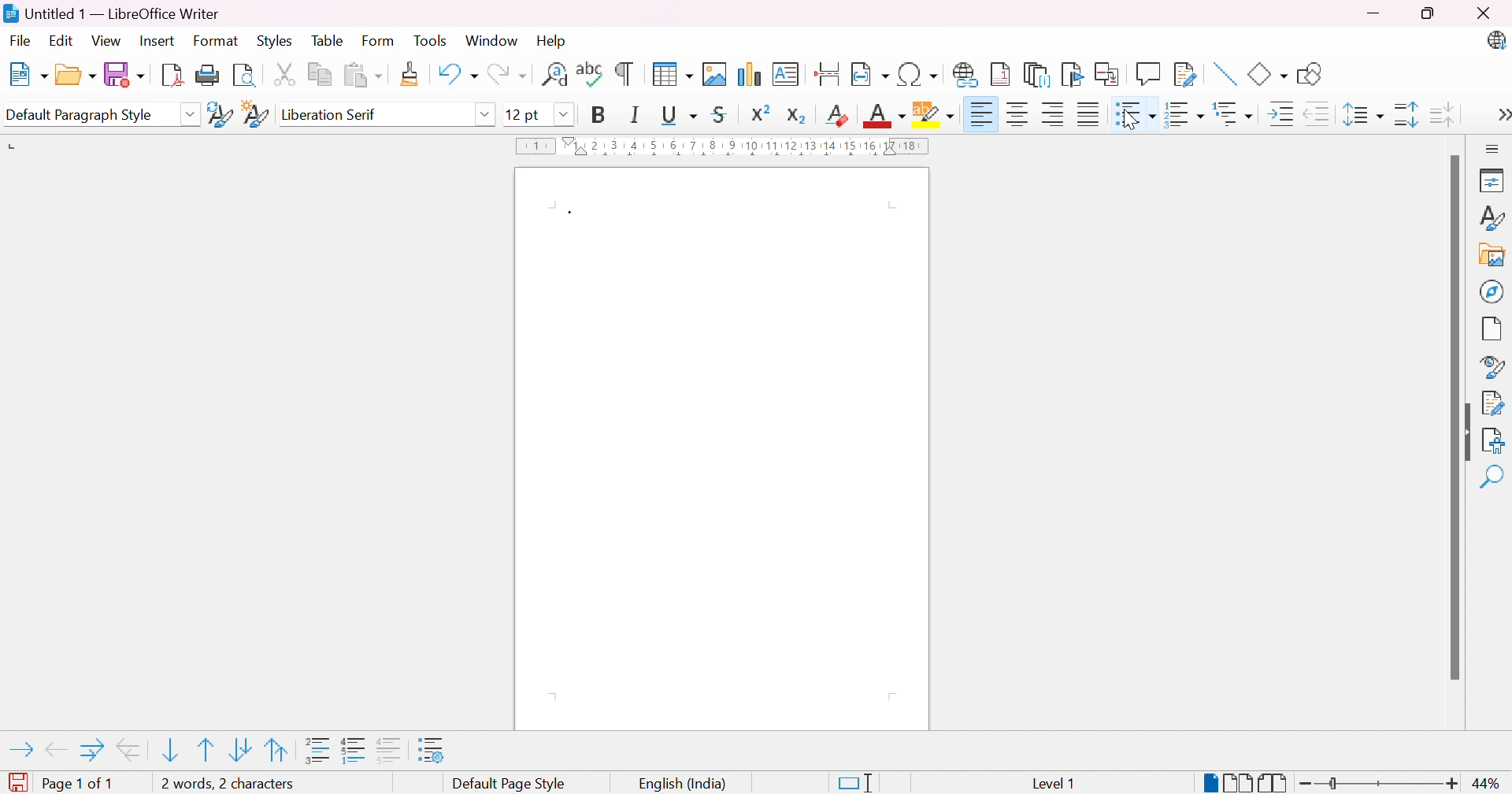 This screenshot has height=794, width=1512. What do you see at coordinates (1490, 785) in the screenshot?
I see `44%` at bounding box center [1490, 785].